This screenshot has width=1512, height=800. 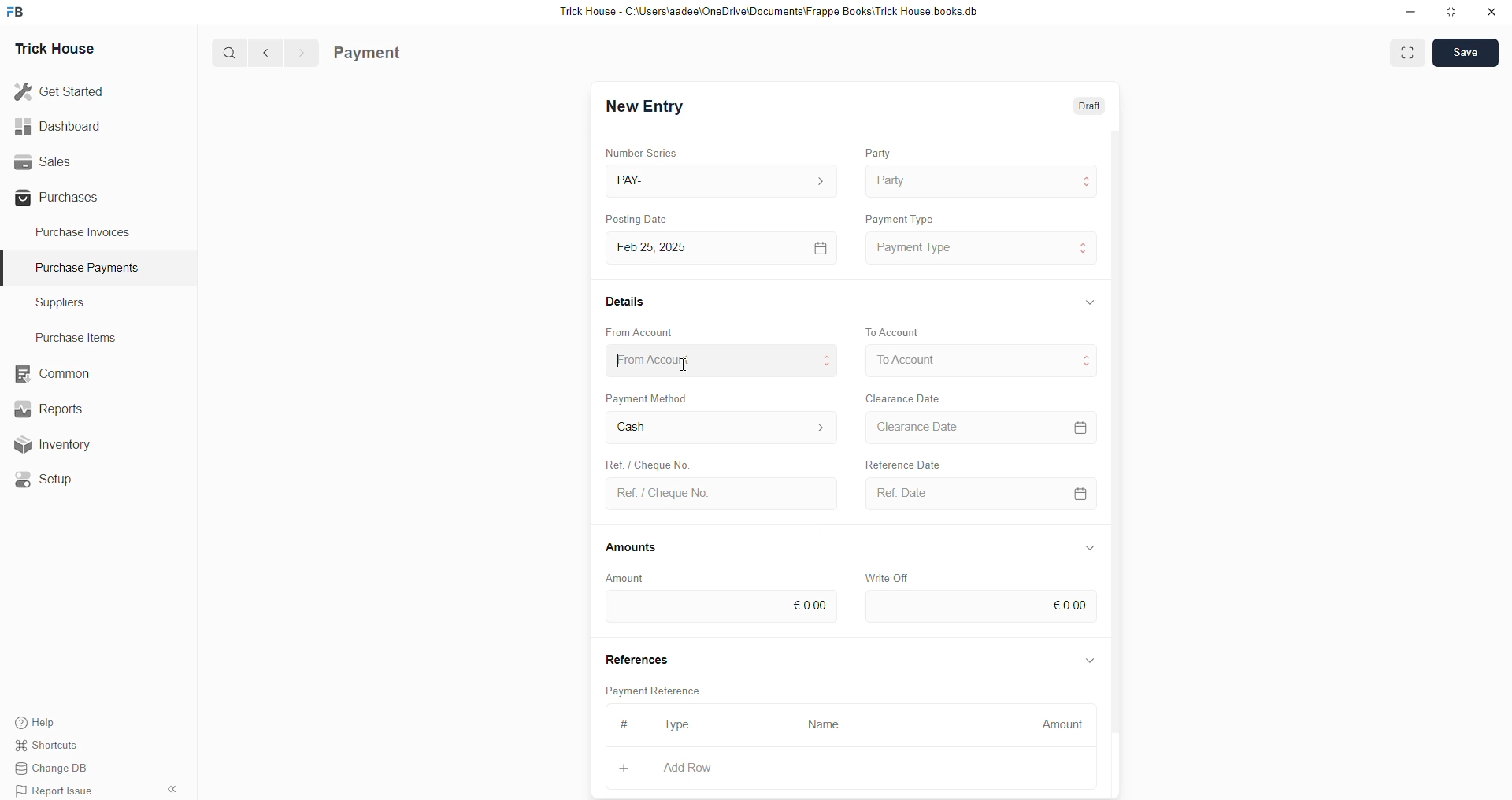 I want to click on Payment Type, so click(x=905, y=216).